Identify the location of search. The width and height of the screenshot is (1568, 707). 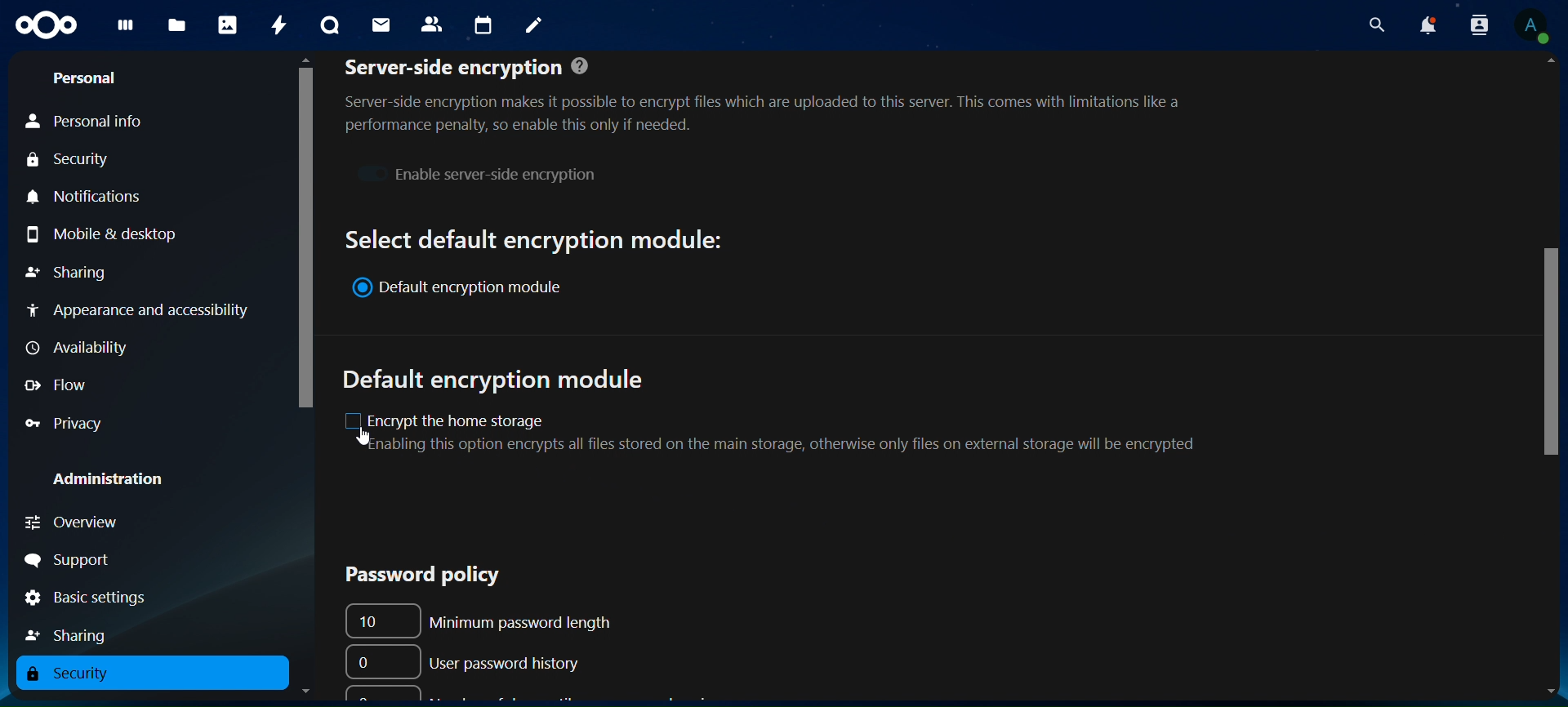
(1377, 25).